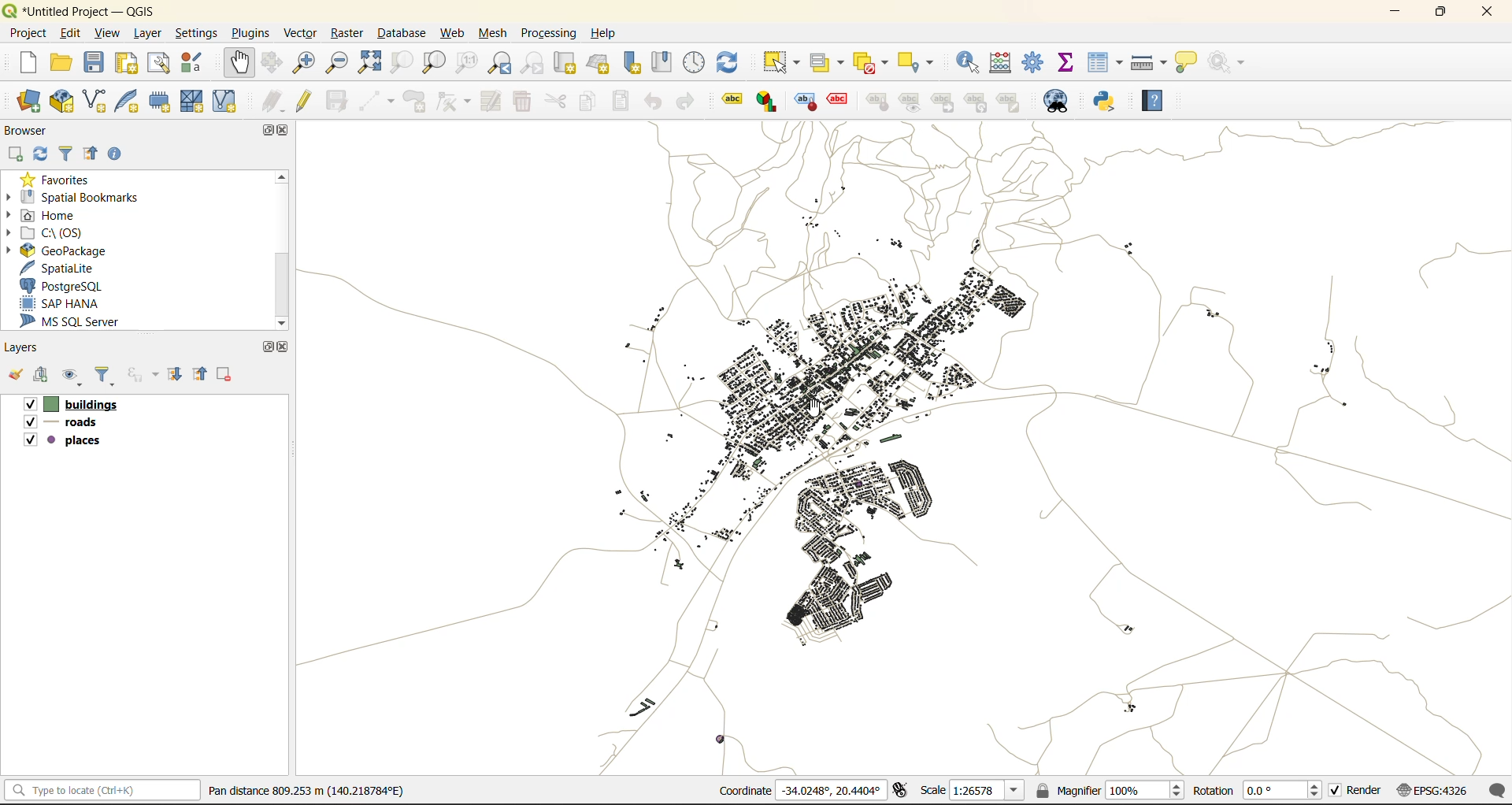  Describe the element at coordinates (161, 64) in the screenshot. I see `show layout` at that location.